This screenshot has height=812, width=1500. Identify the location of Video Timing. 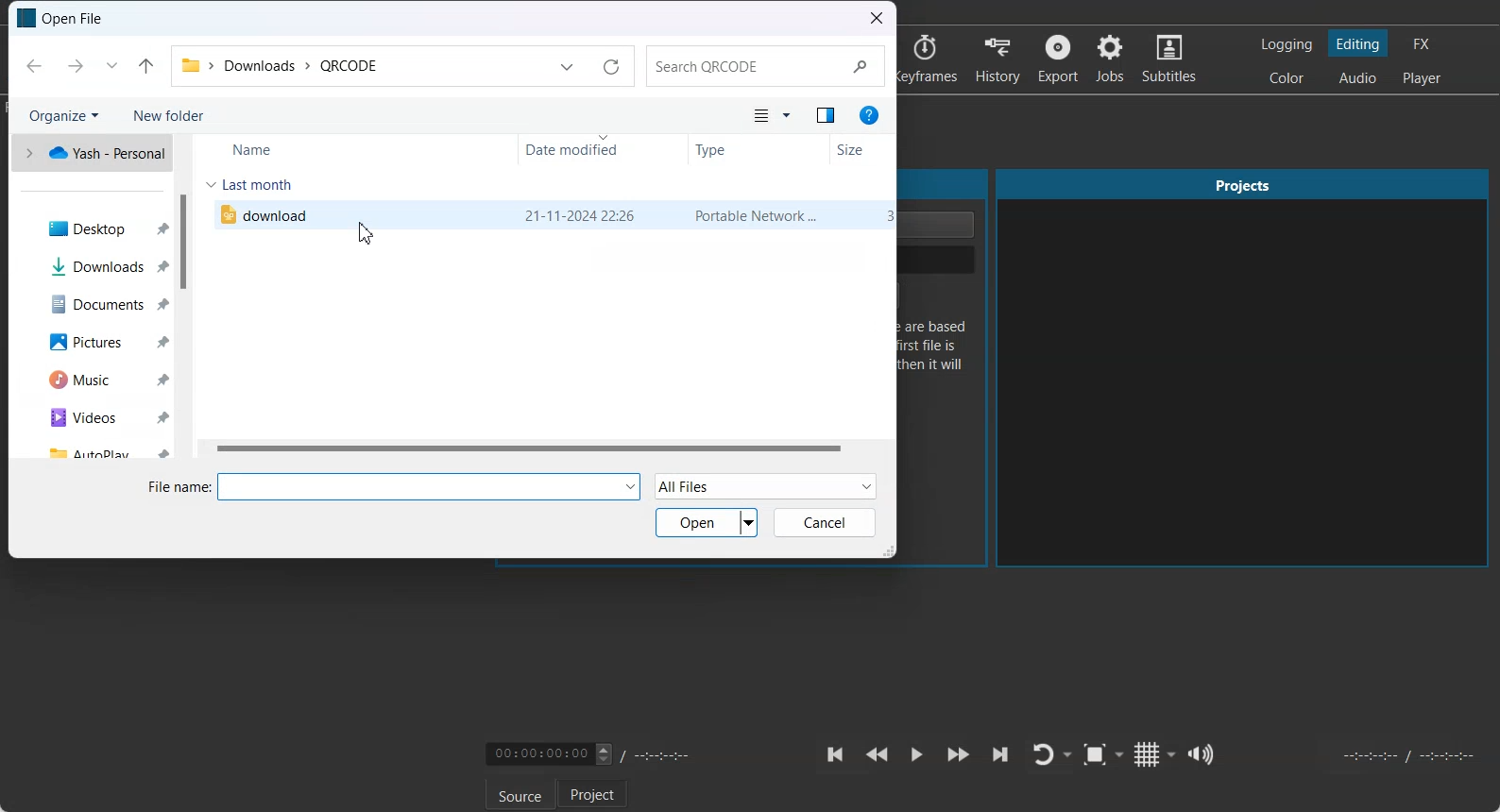
(1398, 755).